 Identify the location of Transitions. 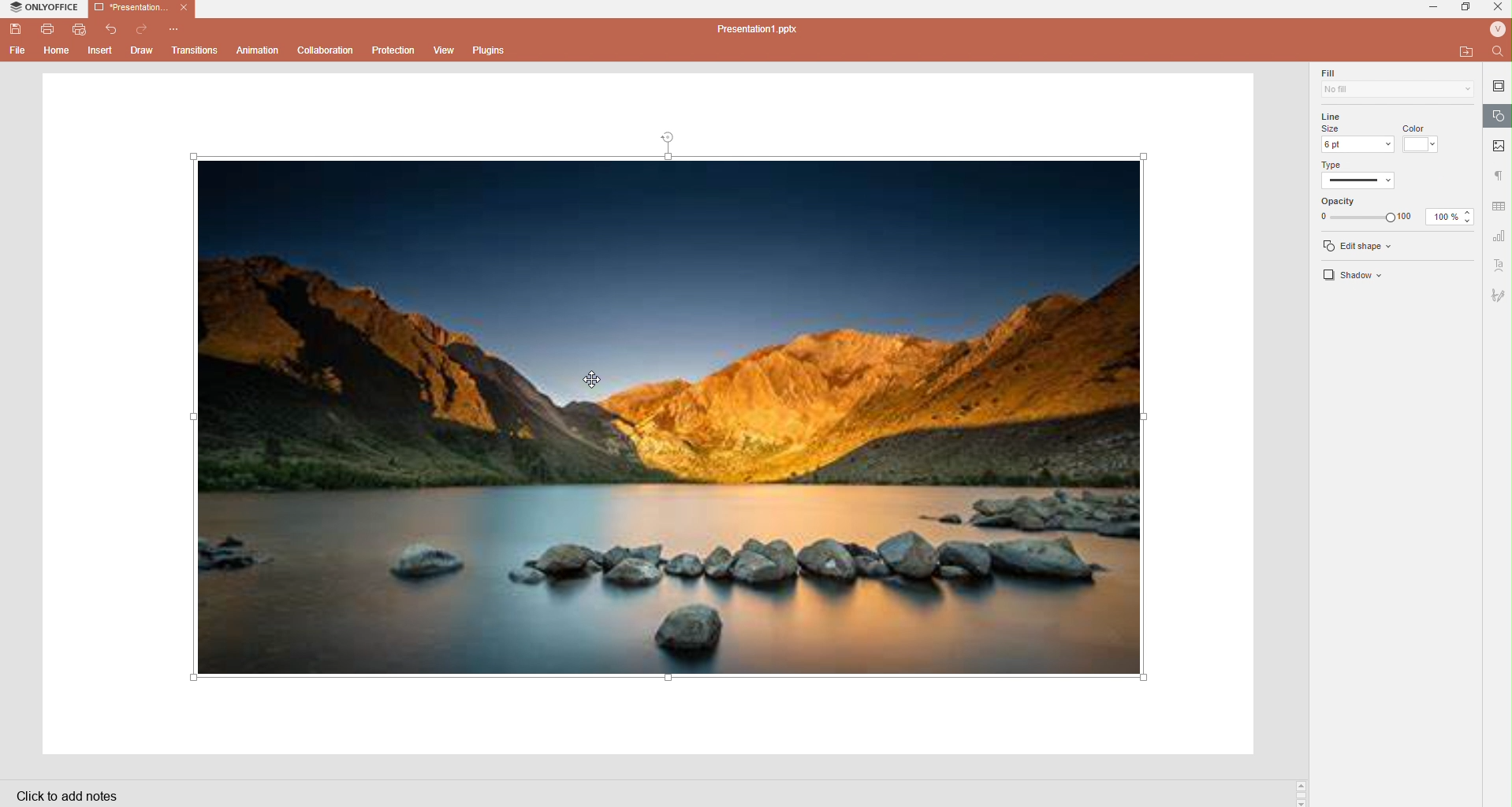
(195, 50).